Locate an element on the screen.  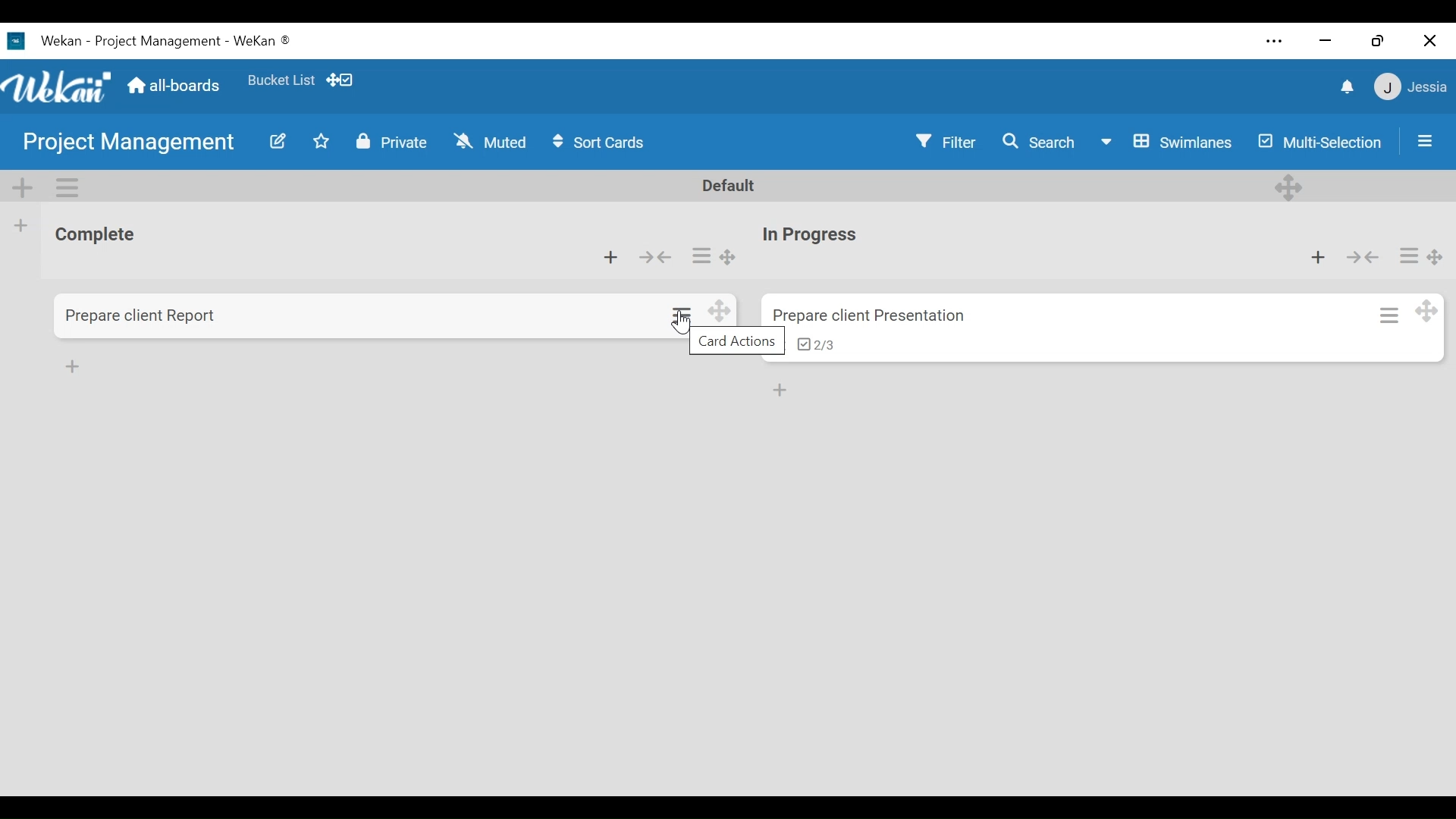
Add card to top of the list is located at coordinates (609, 258).